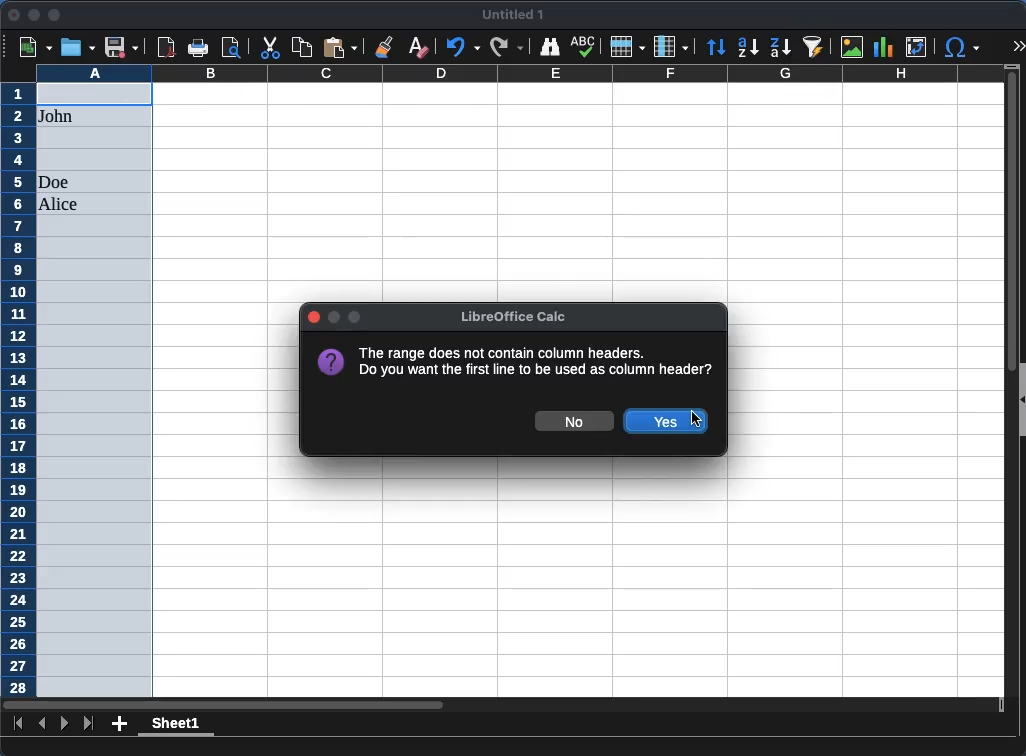 Image resolution: width=1026 pixels, height=756 pixels. Describe the element at coordinates (120, 723) in the screenshot. I see `add` at that location.